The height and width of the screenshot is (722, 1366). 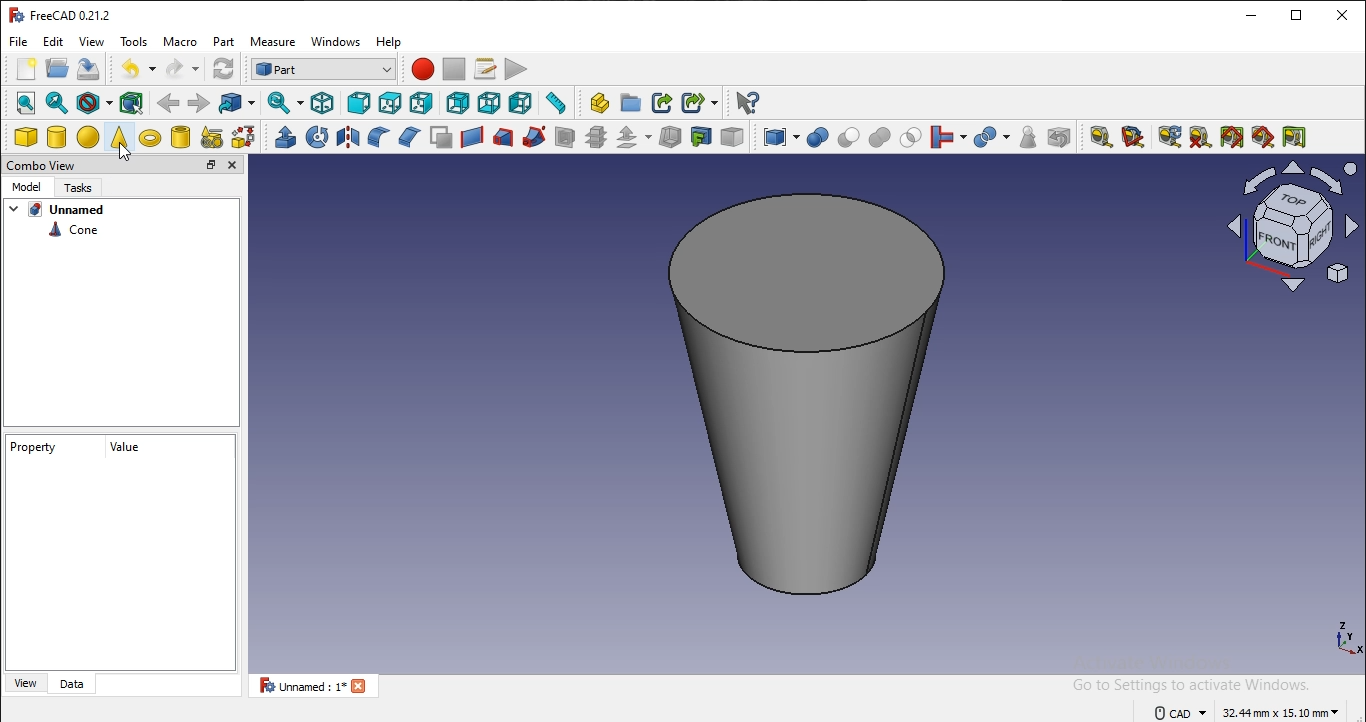 I want to click on whats this, so click(x=748, y=103).